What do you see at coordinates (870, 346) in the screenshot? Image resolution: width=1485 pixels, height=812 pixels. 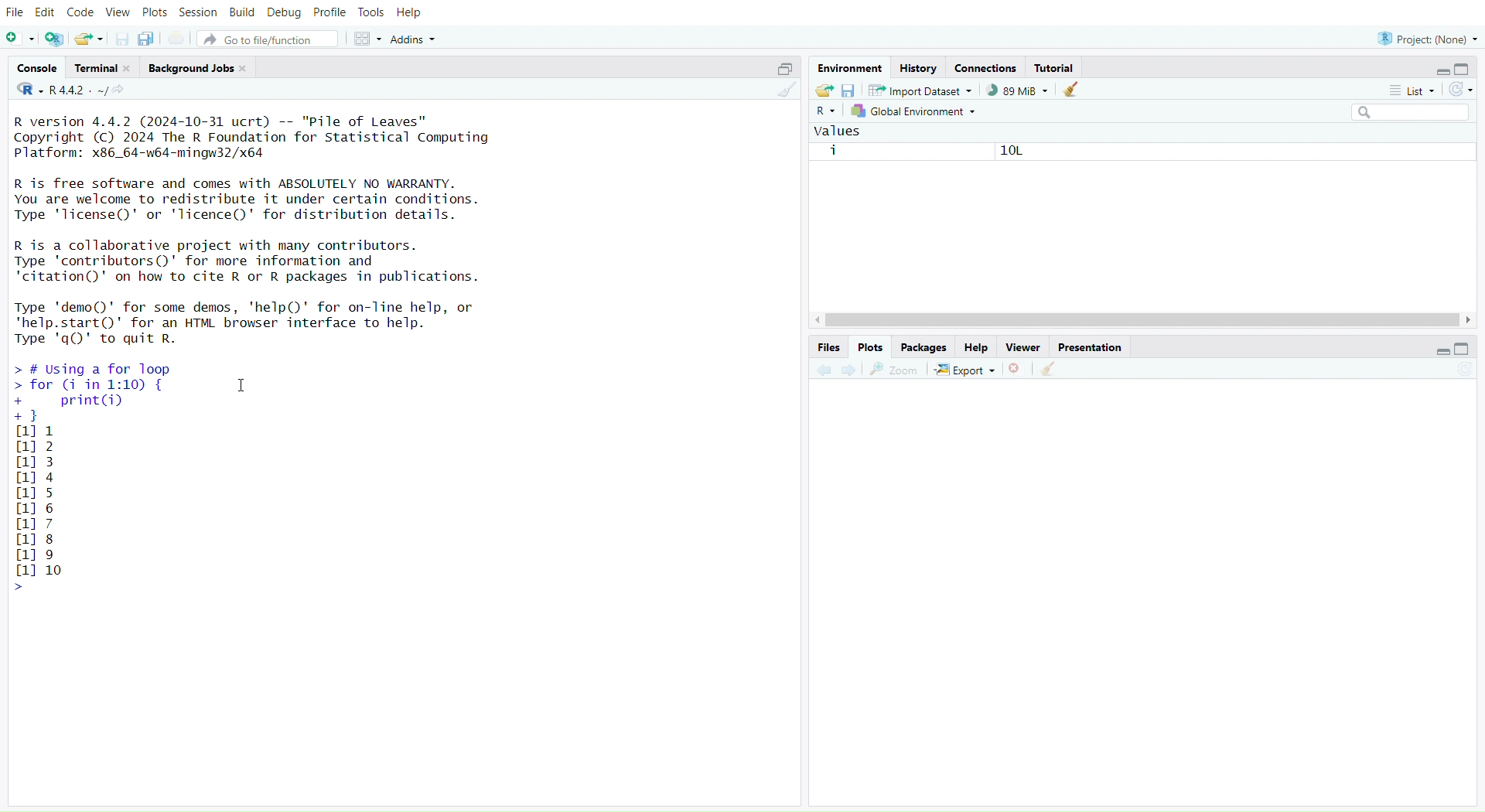 I see `plots` at bounding box center [870, 346].